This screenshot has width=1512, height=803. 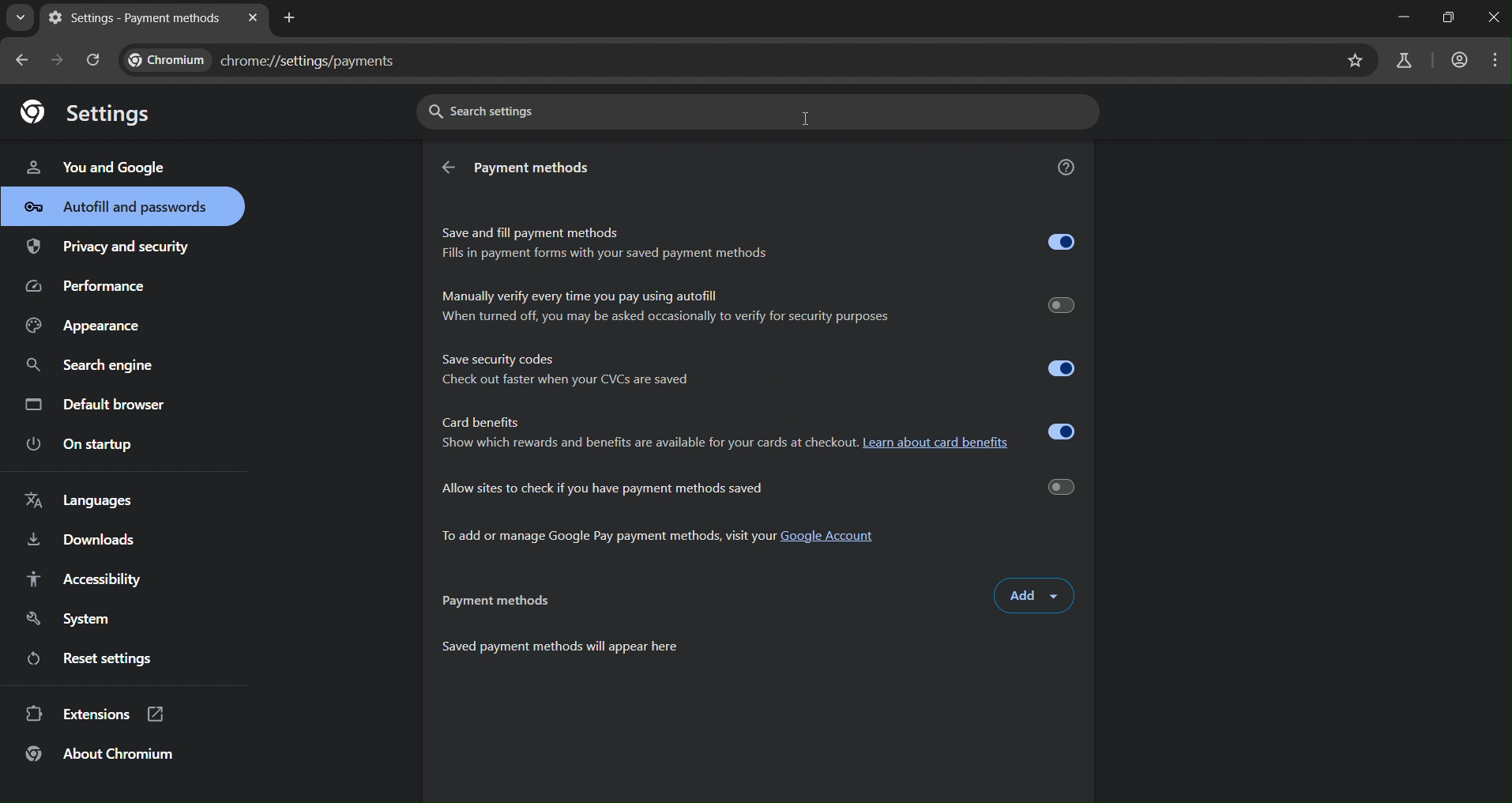 I want to click on minimize, so click(x=1401, y=17).